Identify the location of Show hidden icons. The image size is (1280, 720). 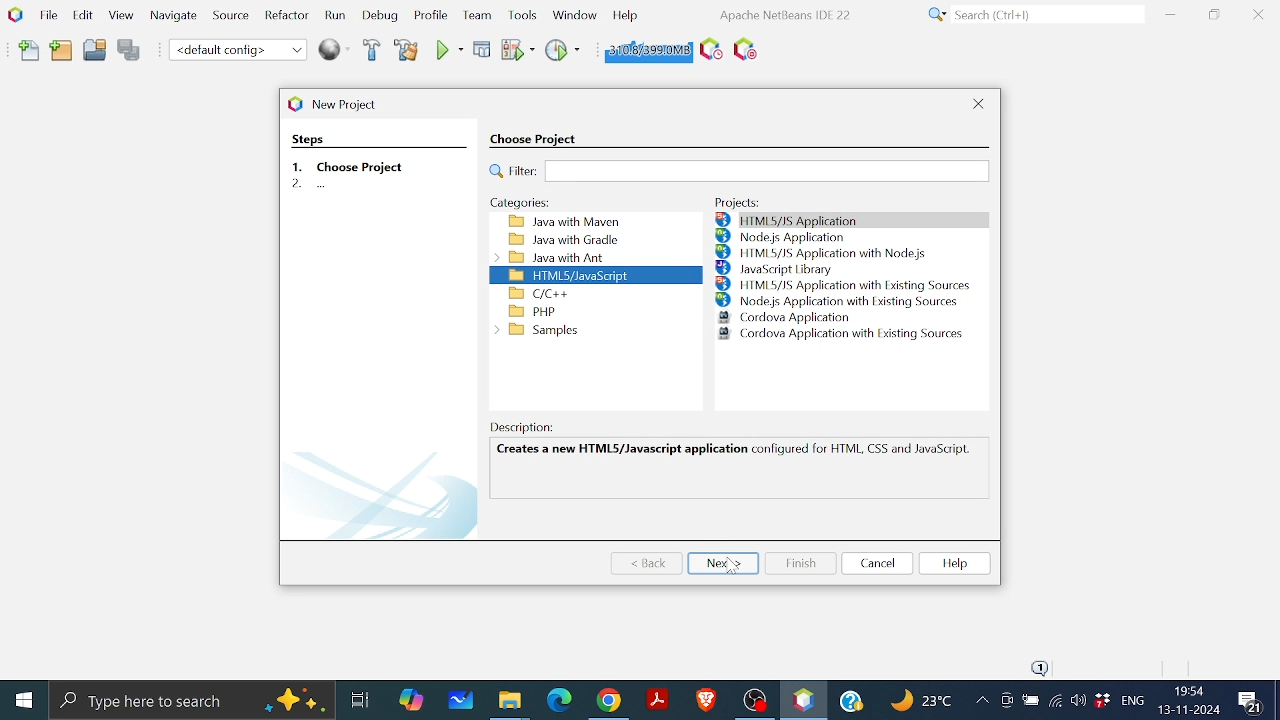
(981, 702).